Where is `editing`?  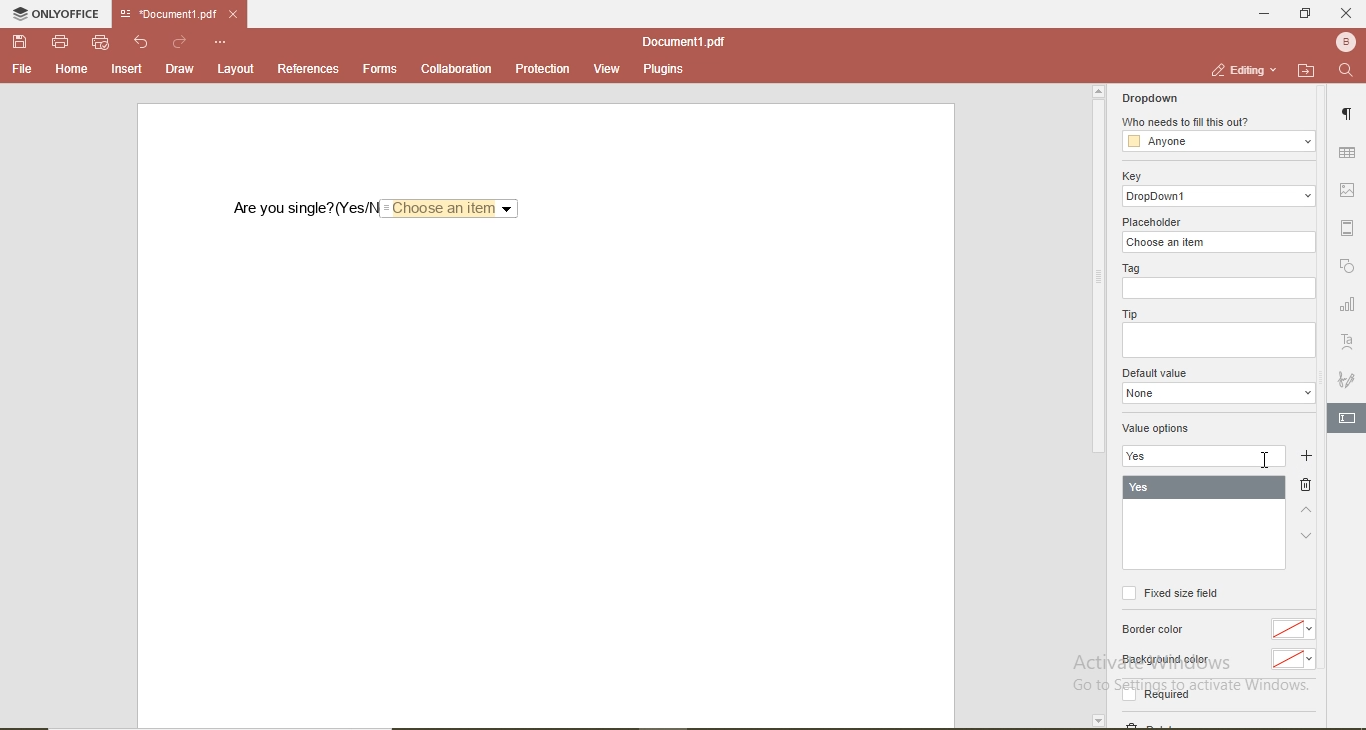 editing is located at coordinates (1246, 68).